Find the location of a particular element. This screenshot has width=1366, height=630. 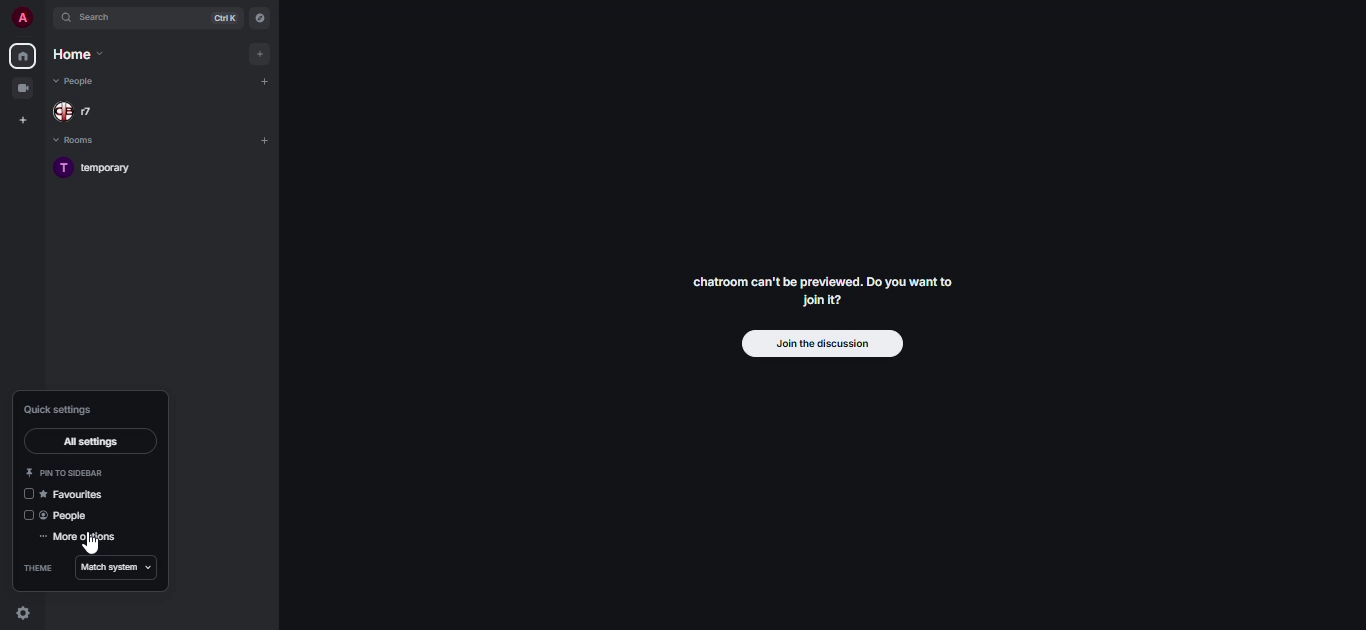

click to enable is located at coordinates (24, 494).